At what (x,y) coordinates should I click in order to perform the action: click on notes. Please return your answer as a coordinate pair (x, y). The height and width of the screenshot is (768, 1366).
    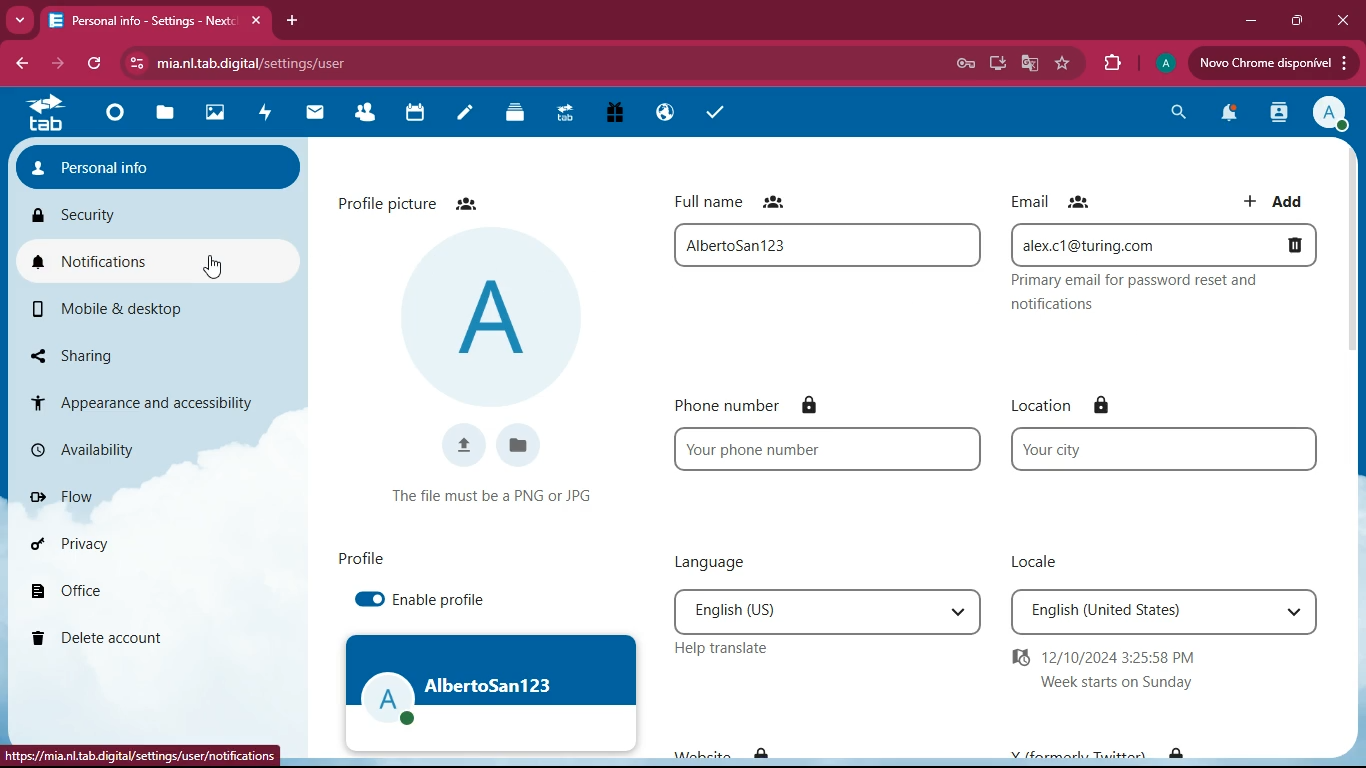
    Looking at the image, I should click on (471, 115).